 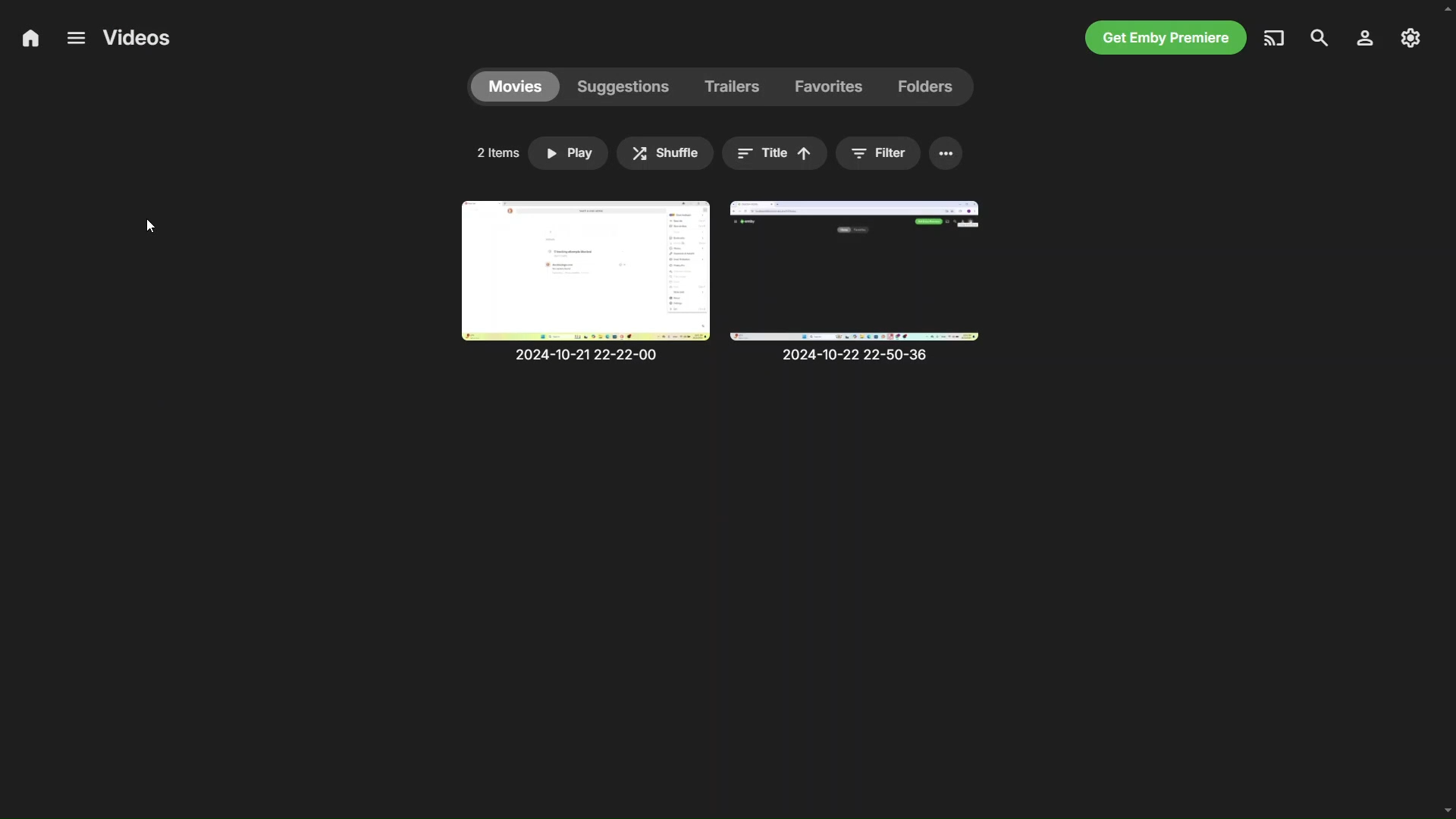 What do you see at coordinates (497, 152) in the screenshot?
I see `2 items` at bounding box center [497, 152].